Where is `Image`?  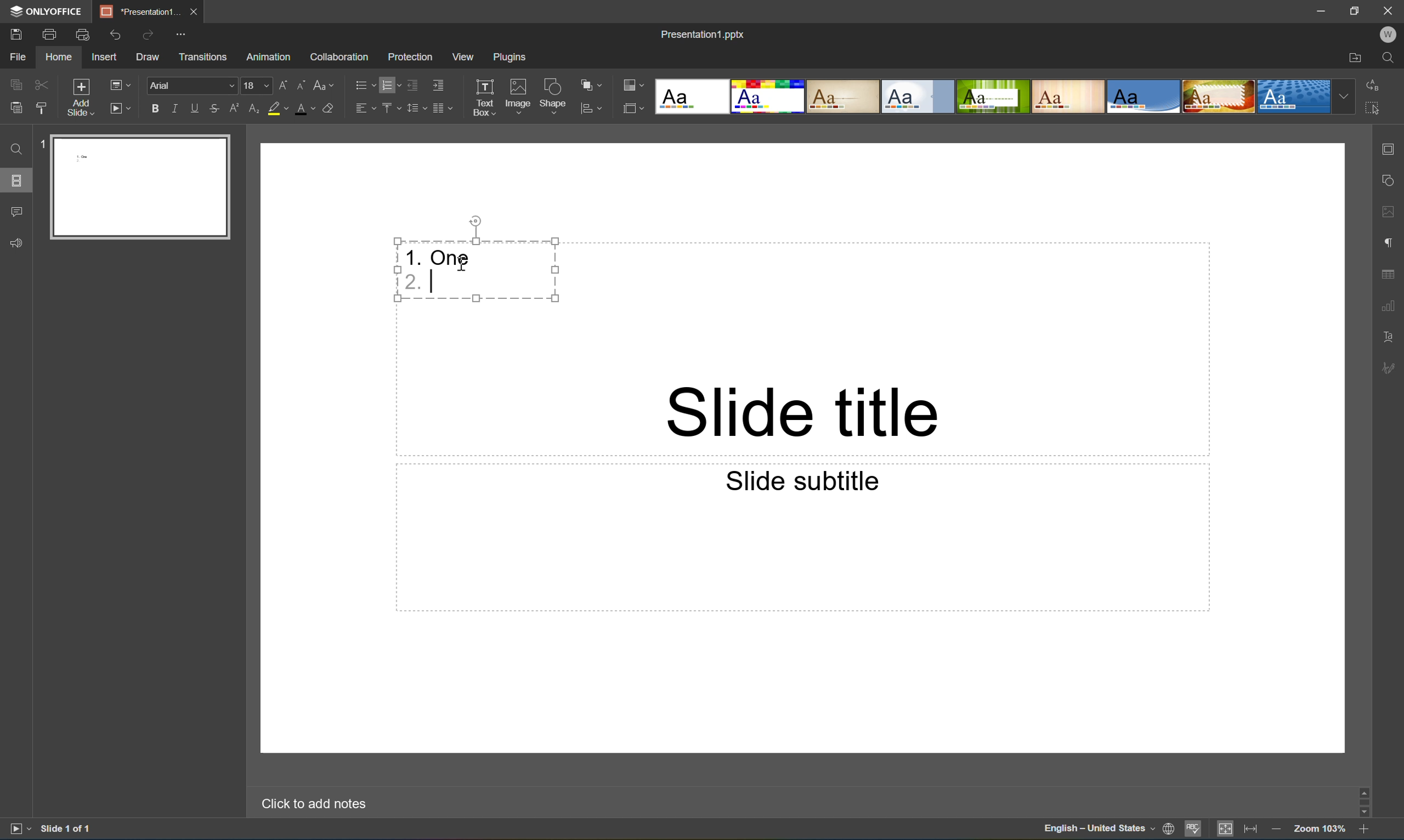 Image is located at coordinates (519, 95).